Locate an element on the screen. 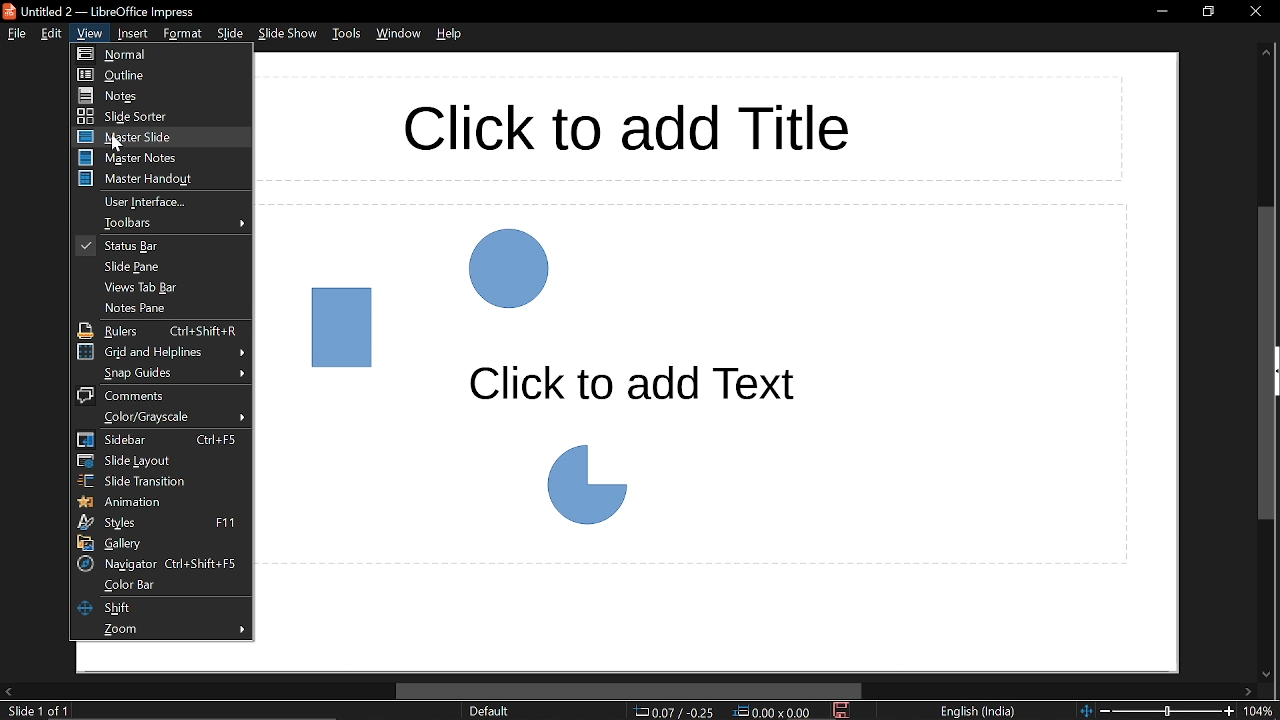  Sidebar is located at coordinates (157, 440).